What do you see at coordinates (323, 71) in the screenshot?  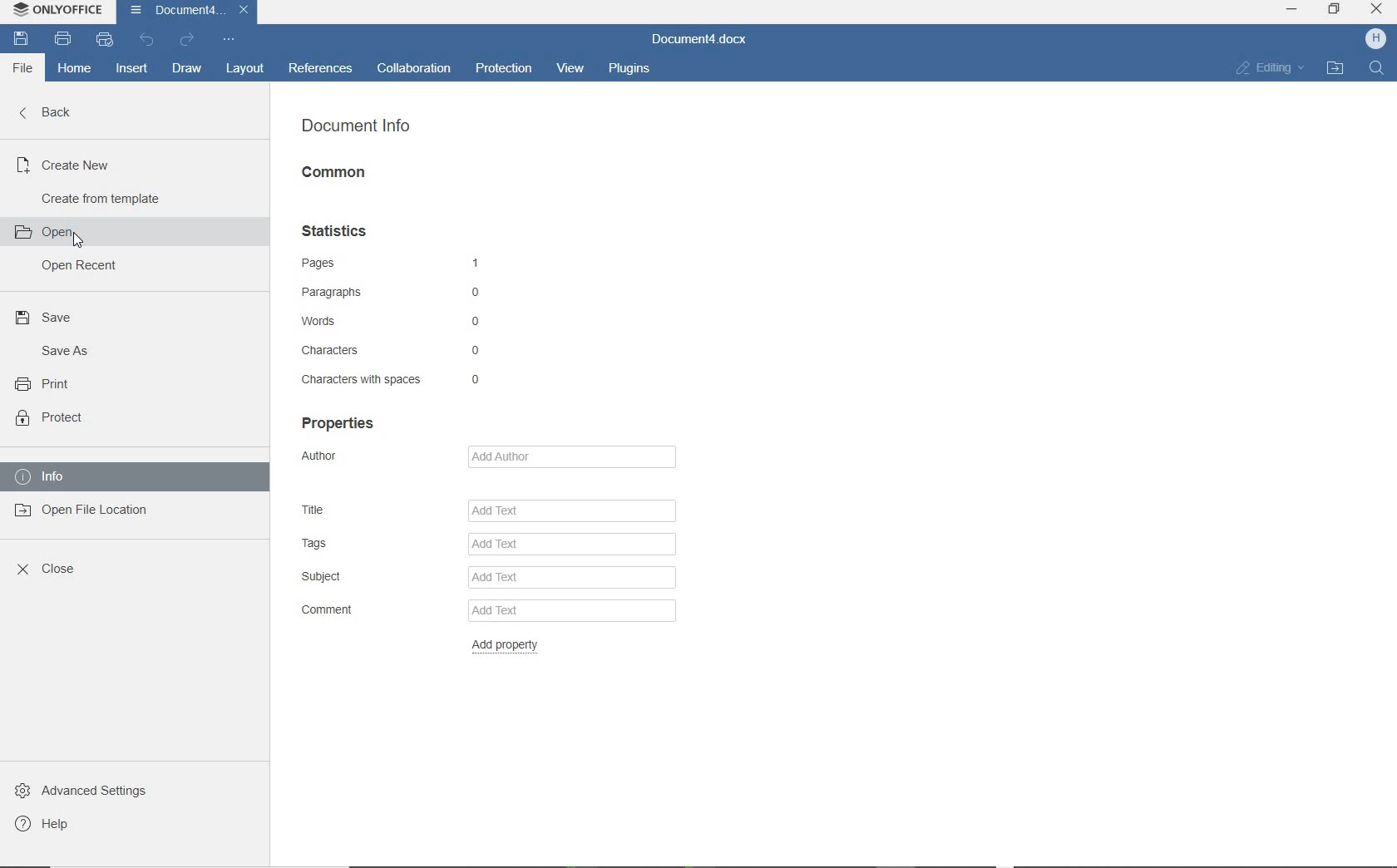 I see `references` at bounding box center [323, 71].